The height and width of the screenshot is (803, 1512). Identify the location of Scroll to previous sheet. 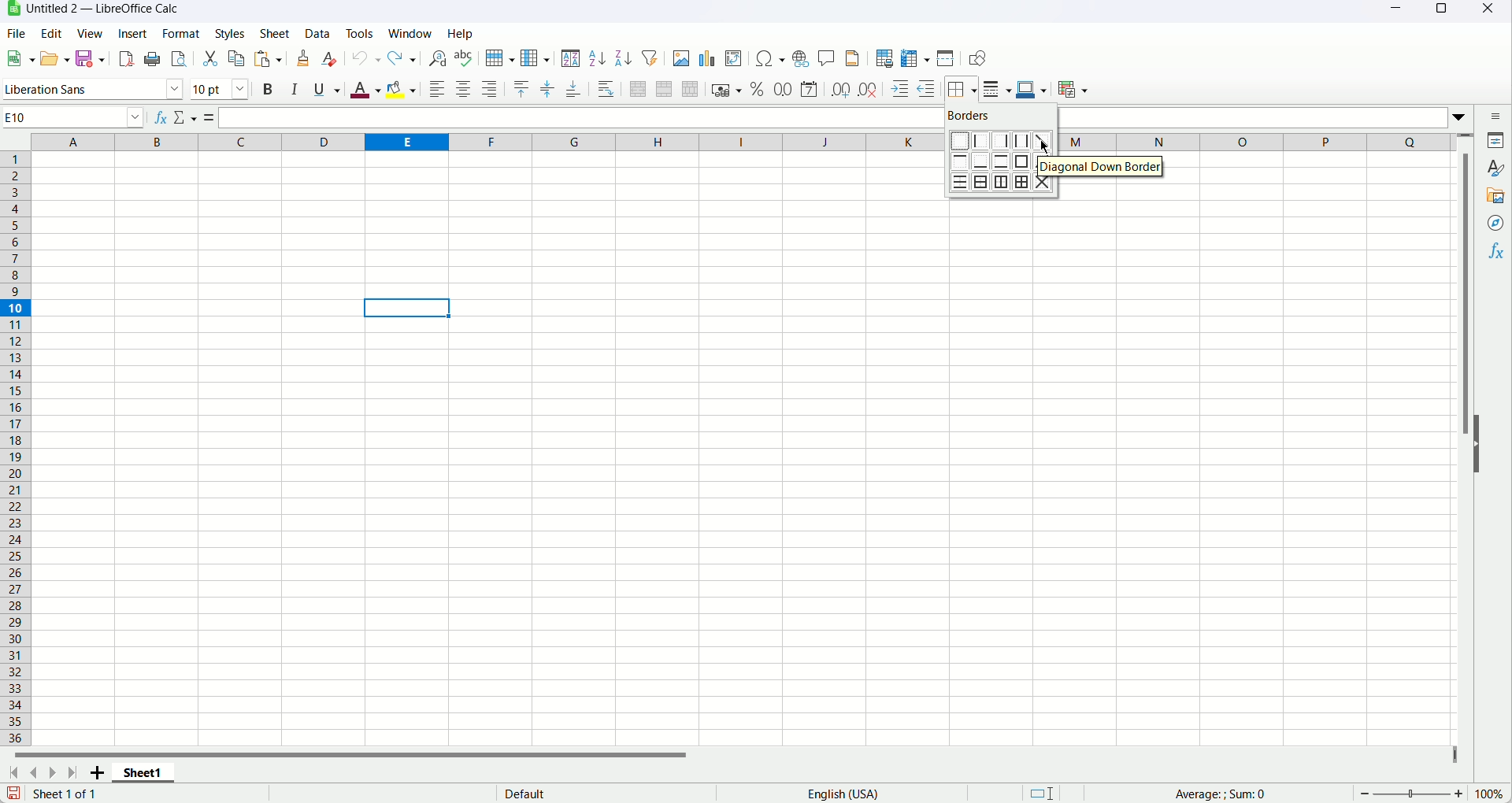
(33, 774).